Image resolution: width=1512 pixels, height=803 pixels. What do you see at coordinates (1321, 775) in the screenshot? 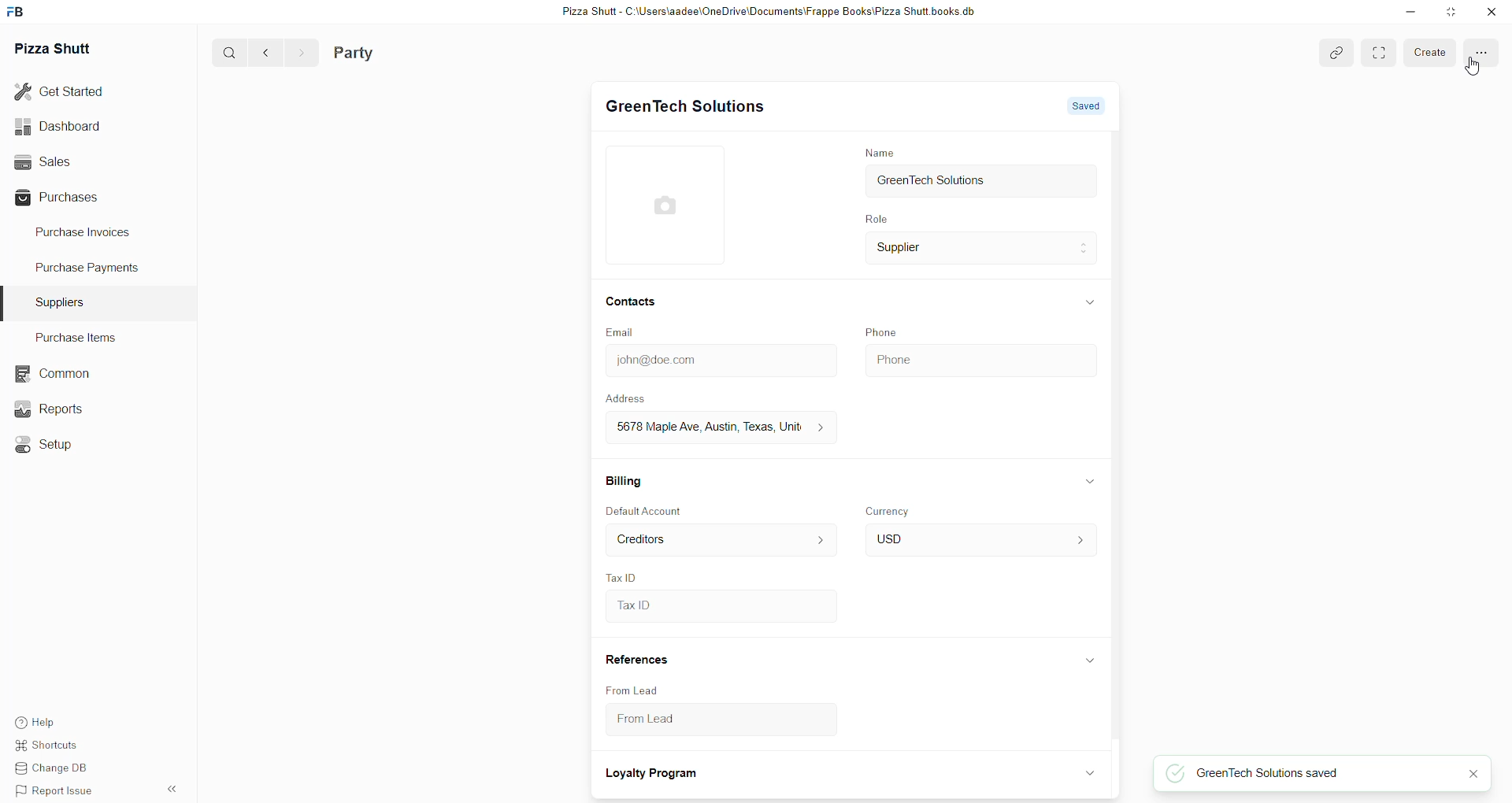
I see `GreenTech Solutions saved` at bounding box center [1321, 775].